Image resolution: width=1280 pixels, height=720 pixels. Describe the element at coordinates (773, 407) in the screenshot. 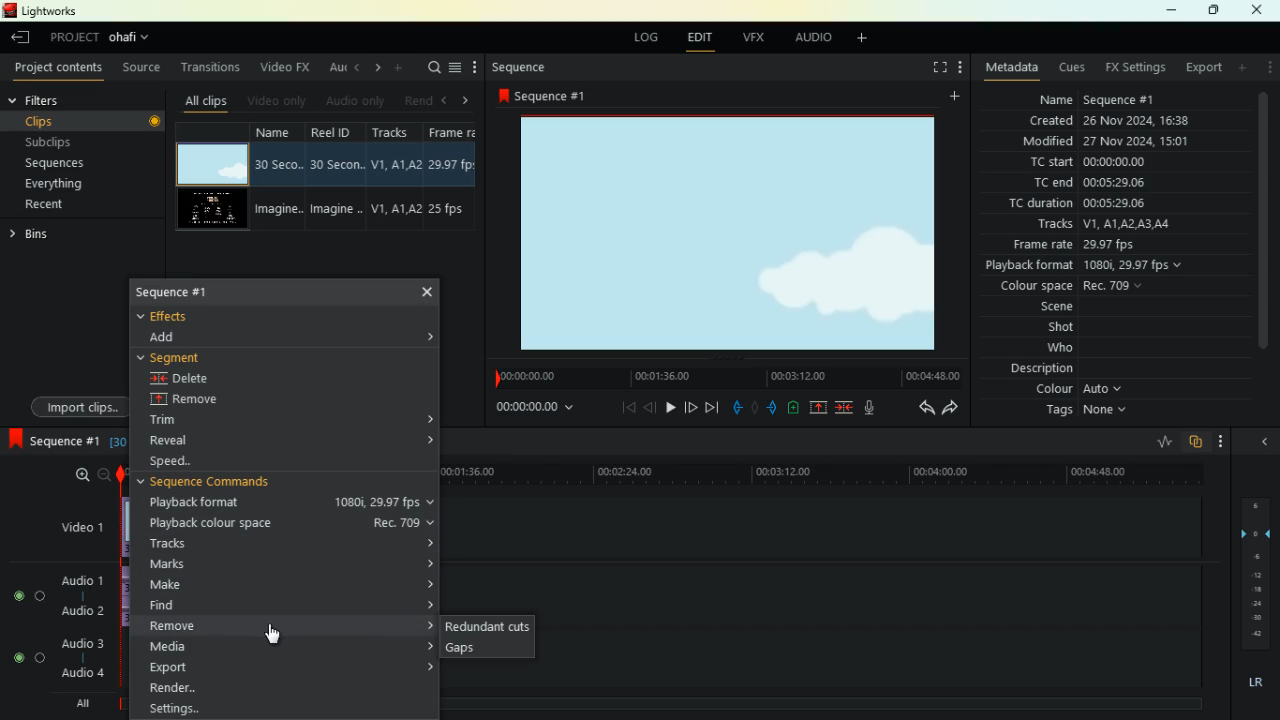

I see `push` at that location.